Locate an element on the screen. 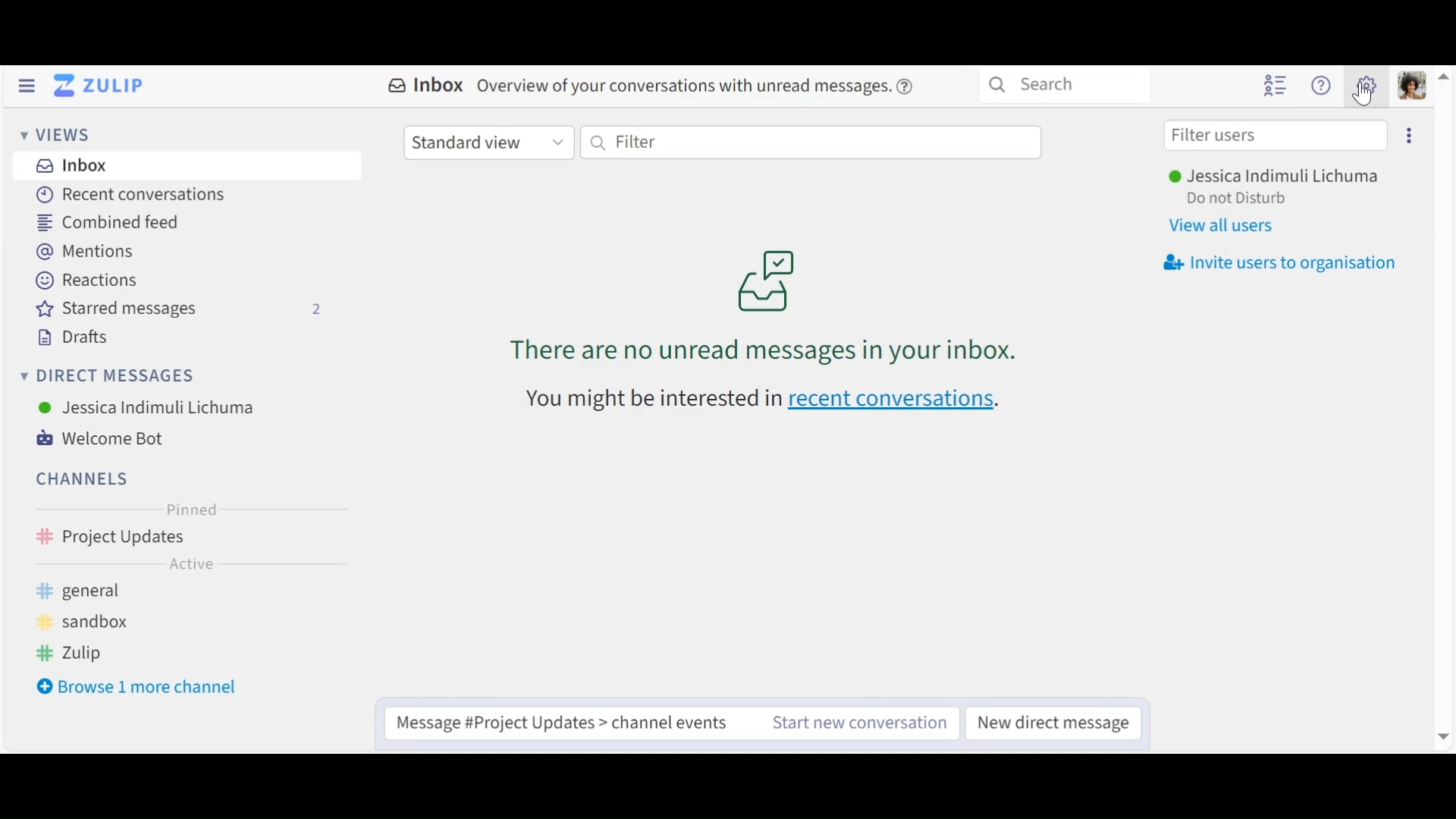 This screenshot has width=1456, height=819. Combined Feed is located at coordinates (105, 224).